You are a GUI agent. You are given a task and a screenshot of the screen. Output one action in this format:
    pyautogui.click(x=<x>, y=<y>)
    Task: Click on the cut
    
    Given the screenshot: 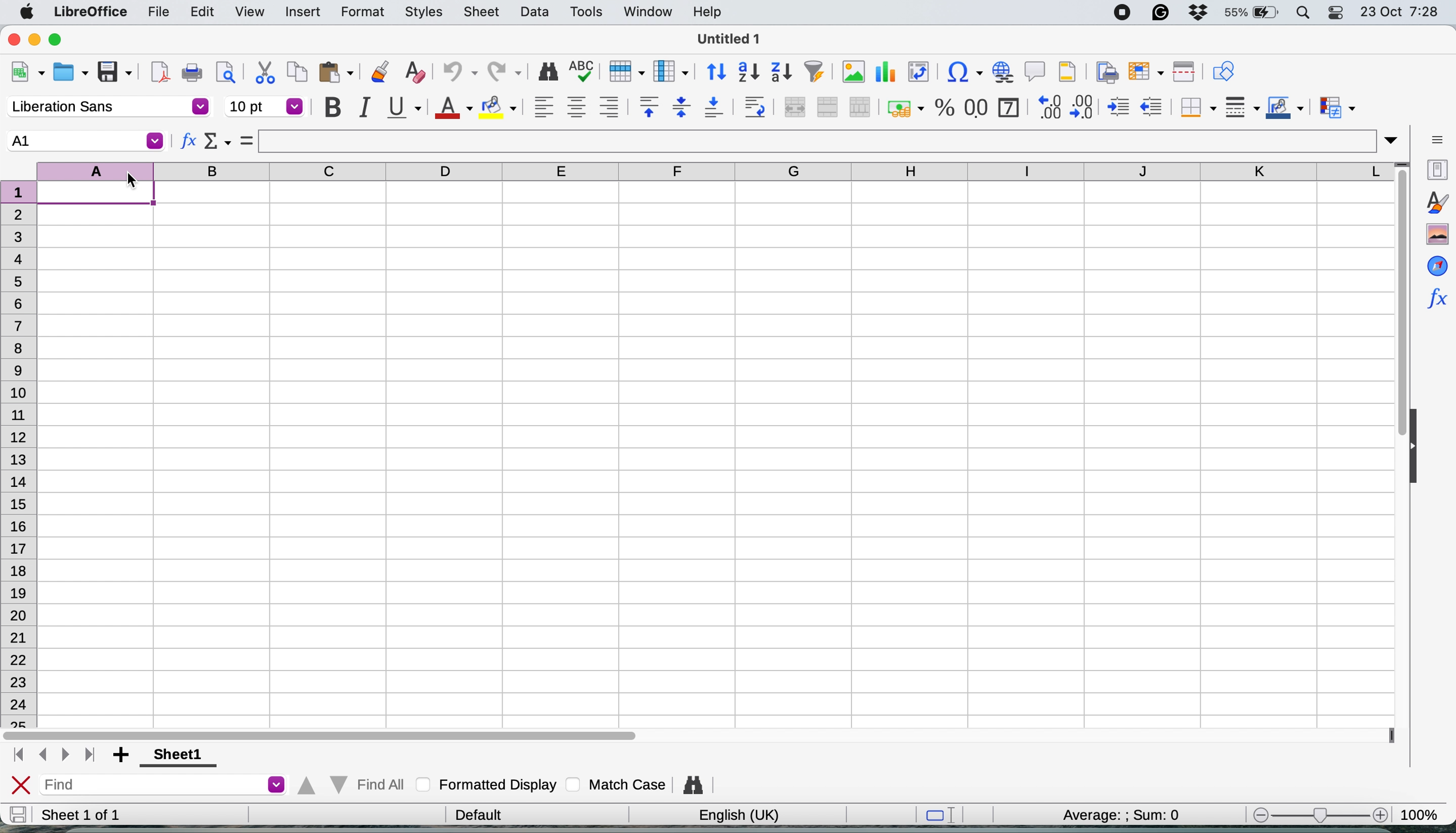 What is the action you would take?
    pyautogui.click(x=262, y=73)
    